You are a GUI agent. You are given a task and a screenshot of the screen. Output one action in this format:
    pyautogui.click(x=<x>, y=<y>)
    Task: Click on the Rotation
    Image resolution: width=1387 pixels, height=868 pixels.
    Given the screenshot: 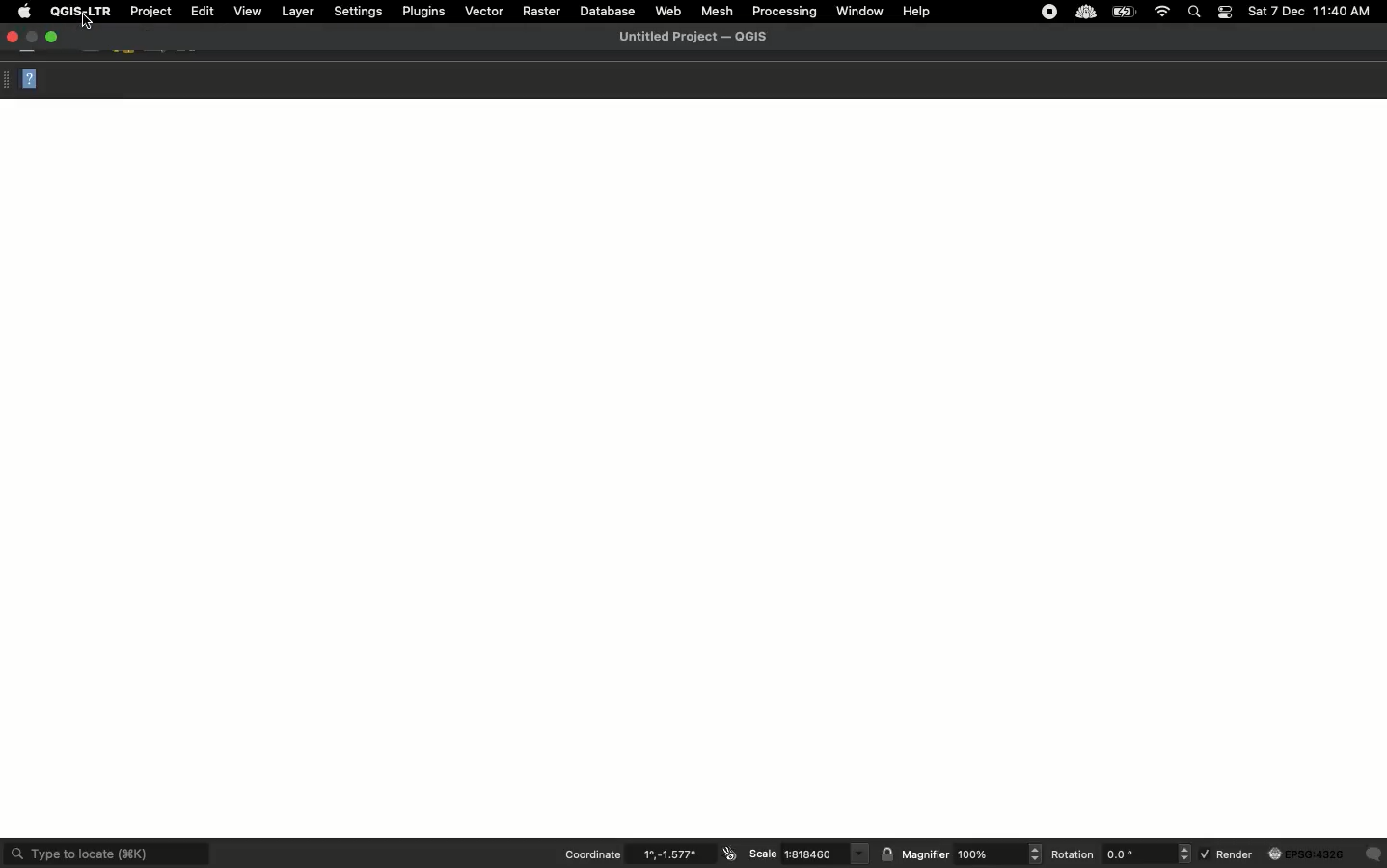 What is the action you would take?
    pyautogui.click(x=1116, y=853)
    